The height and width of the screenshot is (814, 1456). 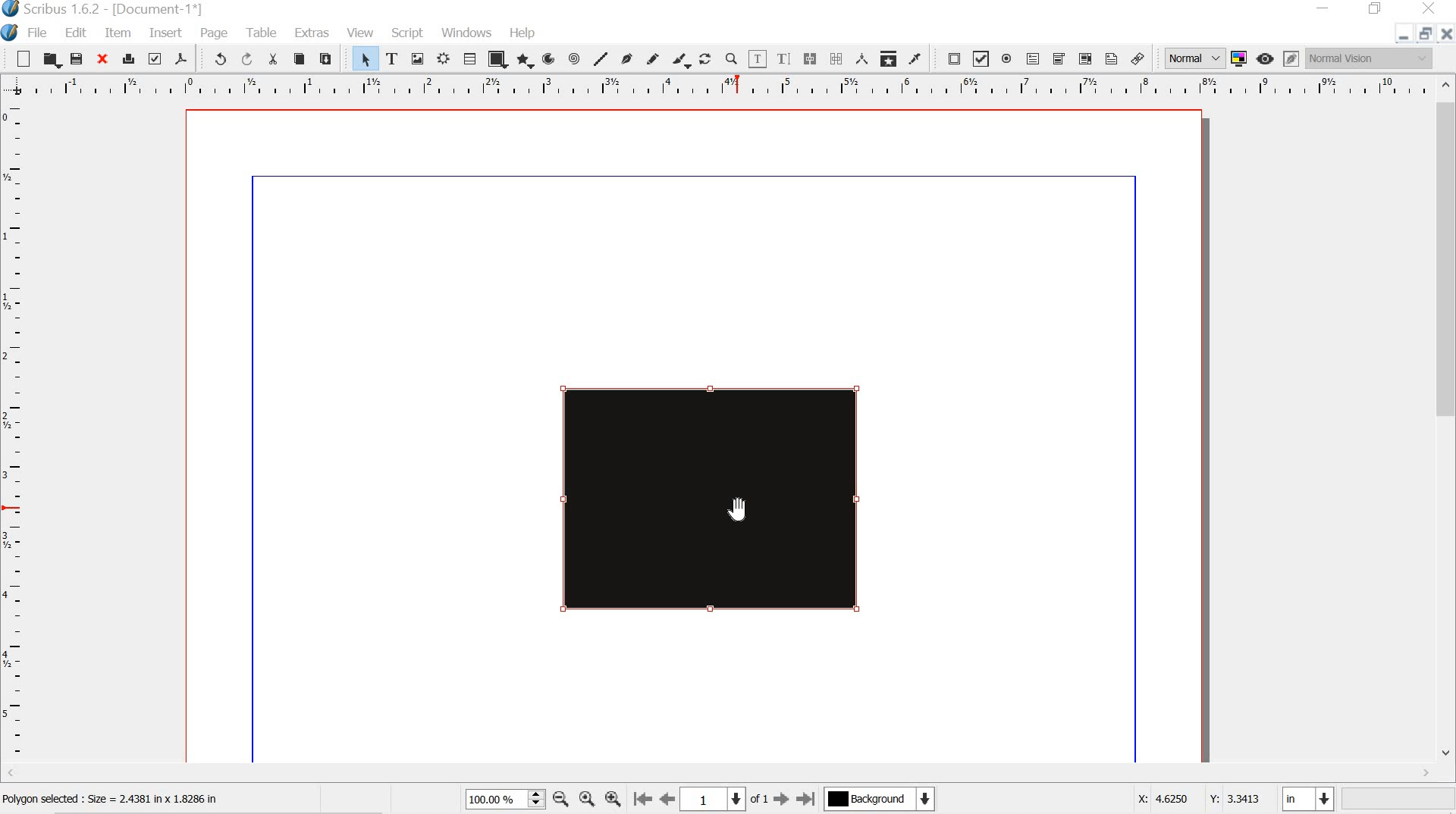 I want to click on of 1, so click(x=759, y=799).